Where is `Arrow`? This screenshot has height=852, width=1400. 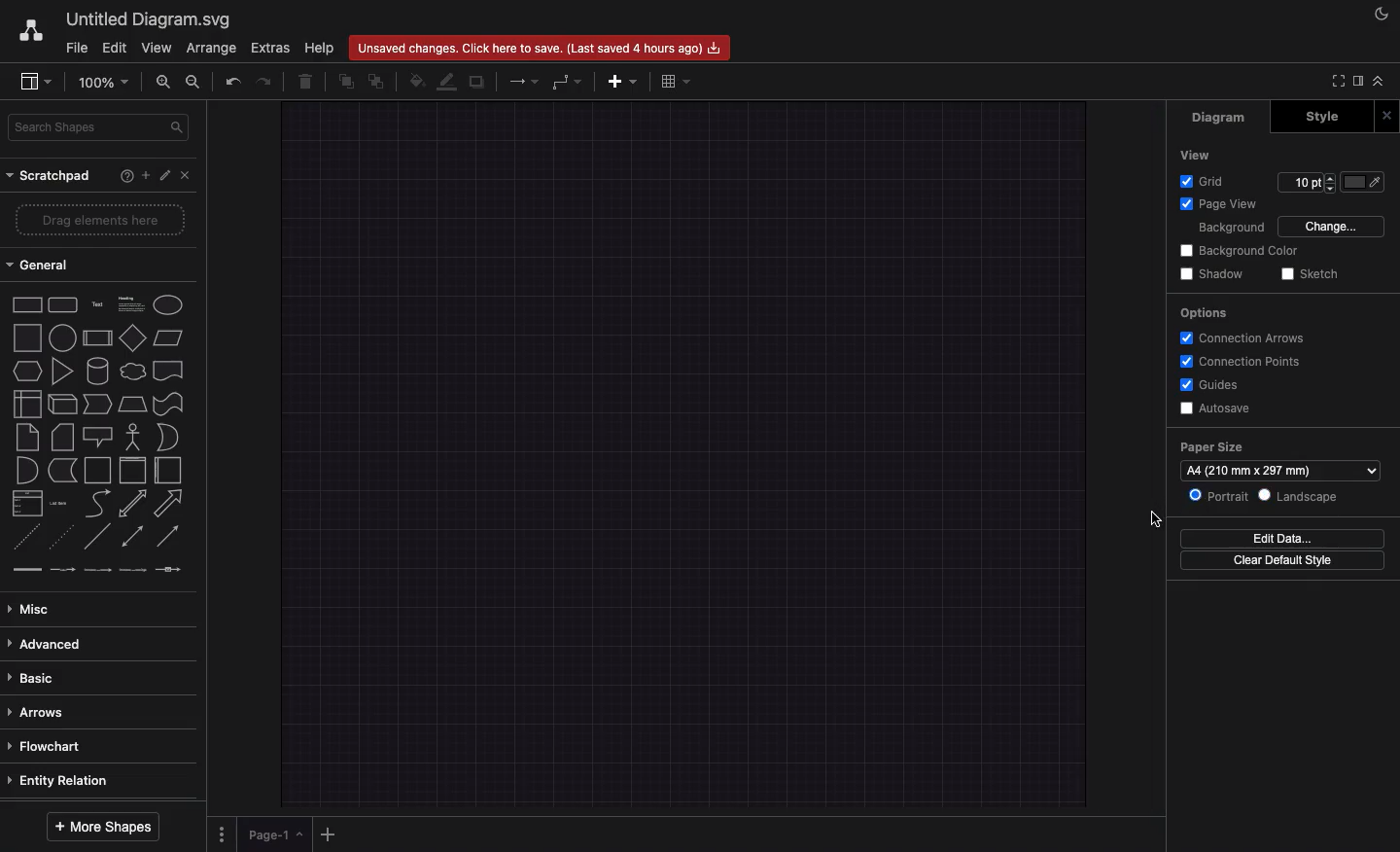
Arrow is located at coordinates (522, 82).